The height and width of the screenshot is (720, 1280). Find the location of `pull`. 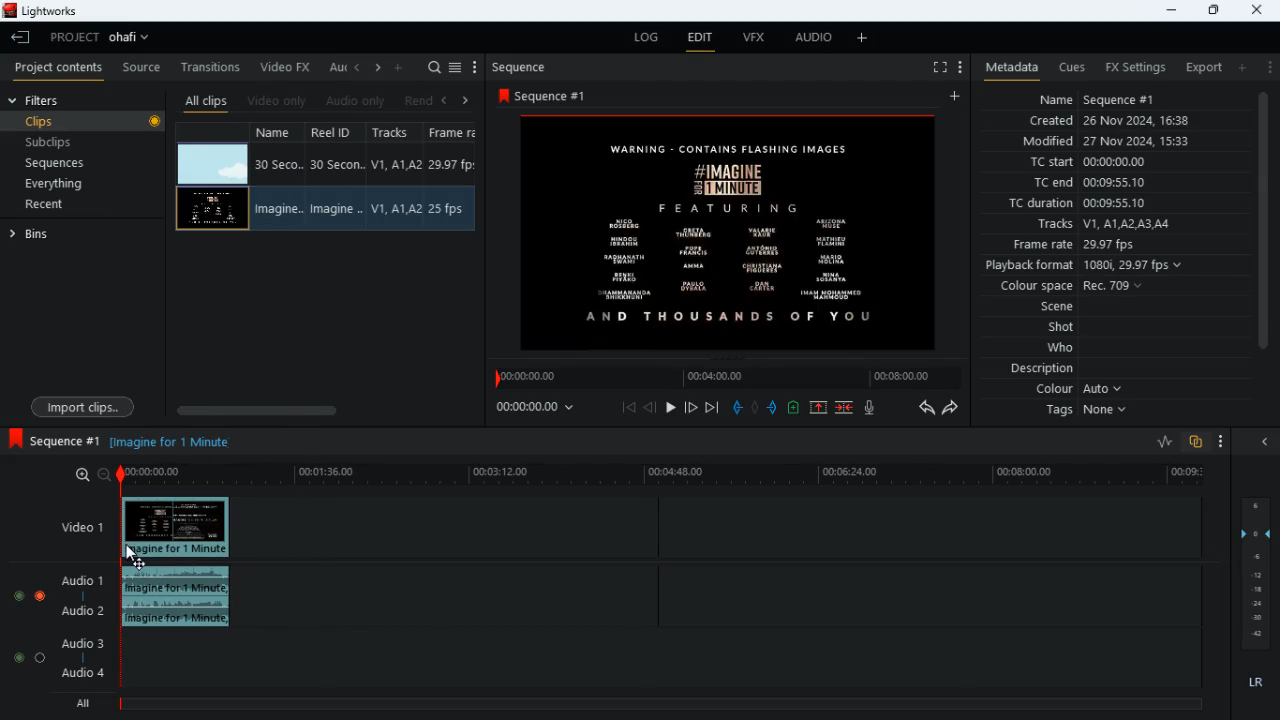

pull is located at coordinates (735, 407).